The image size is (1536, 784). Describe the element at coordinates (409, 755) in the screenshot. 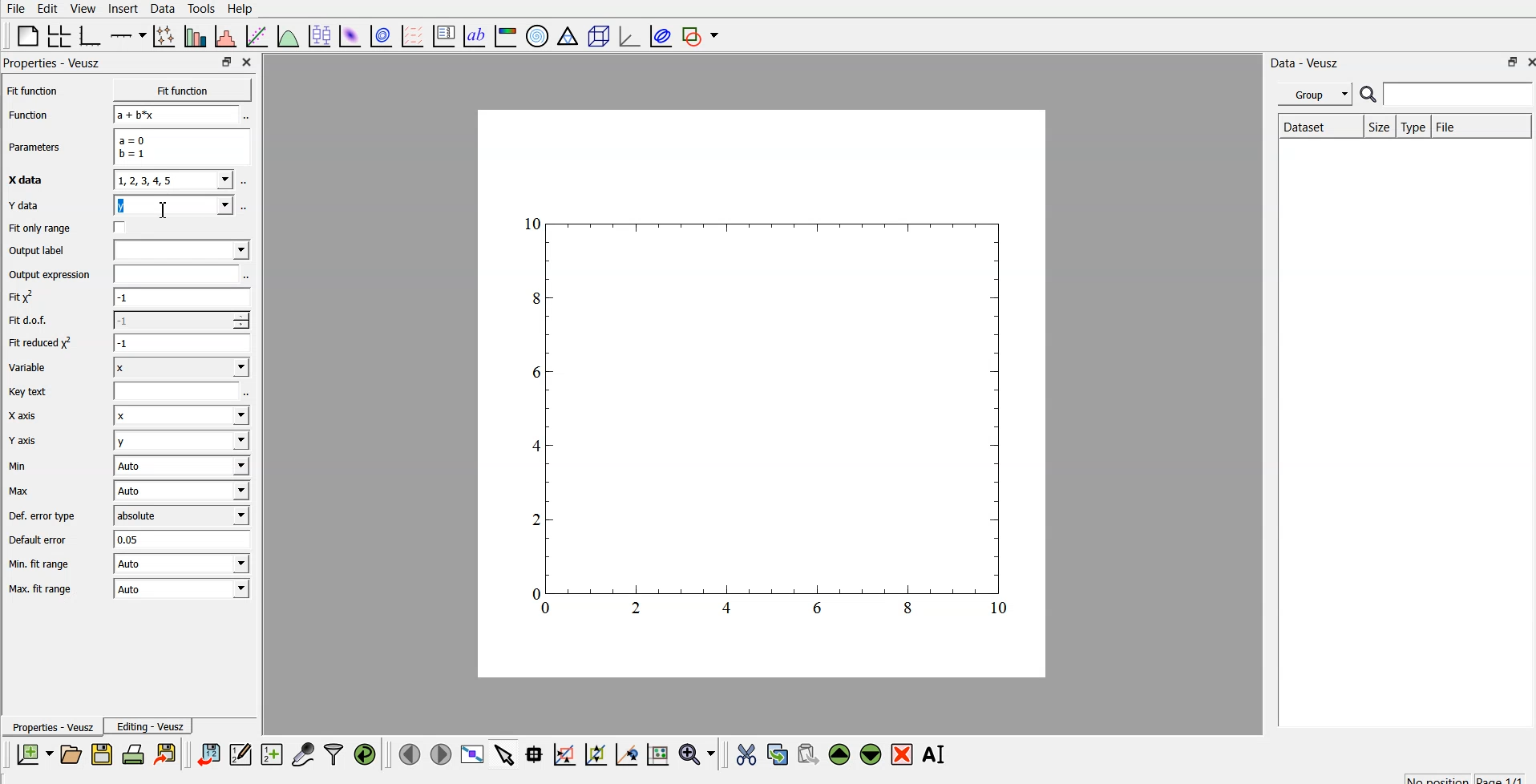

I see `previous page ` at that location.